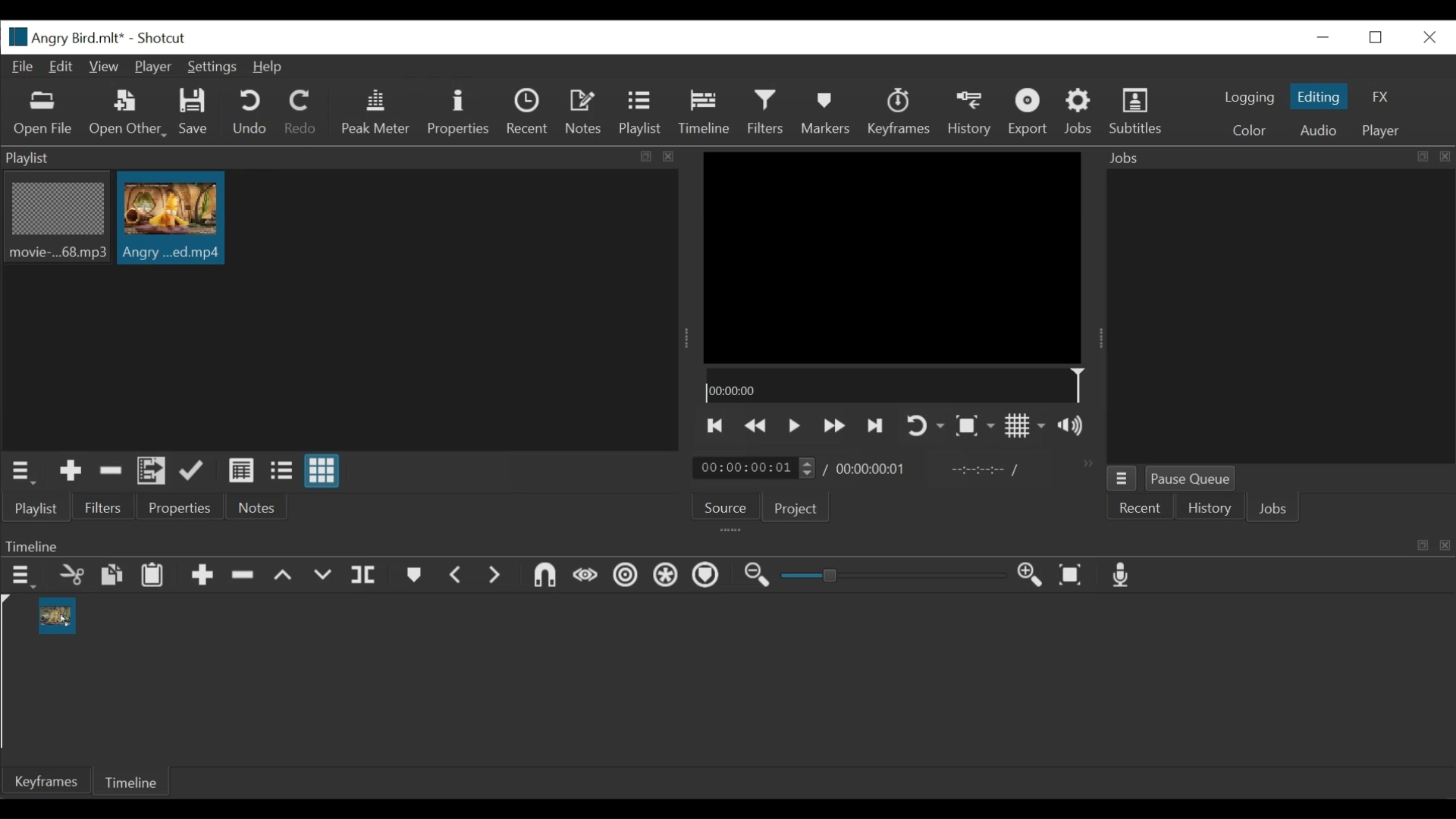  What do you see at coordinates (1121, 479) in the screenshot?
I see `Jobs Menu` at bounding box center [1121, 479].